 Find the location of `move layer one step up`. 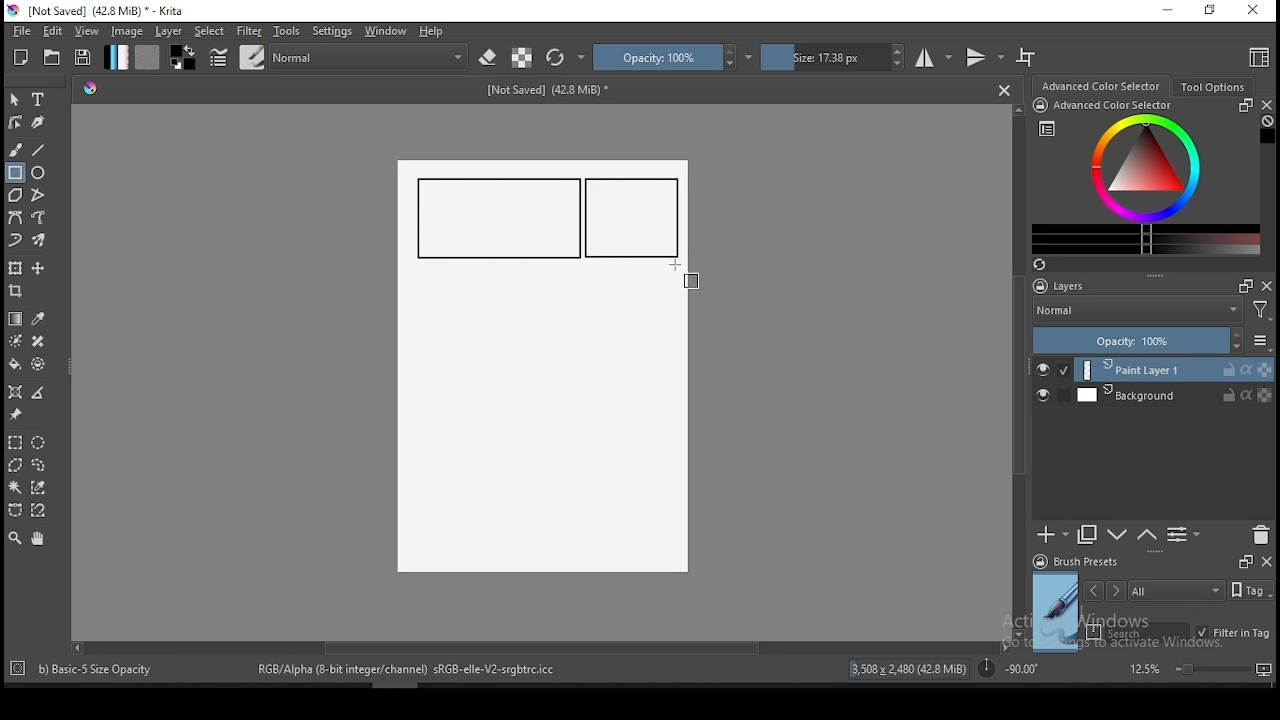

move layer one step up is located at coordinates (1118, 537).